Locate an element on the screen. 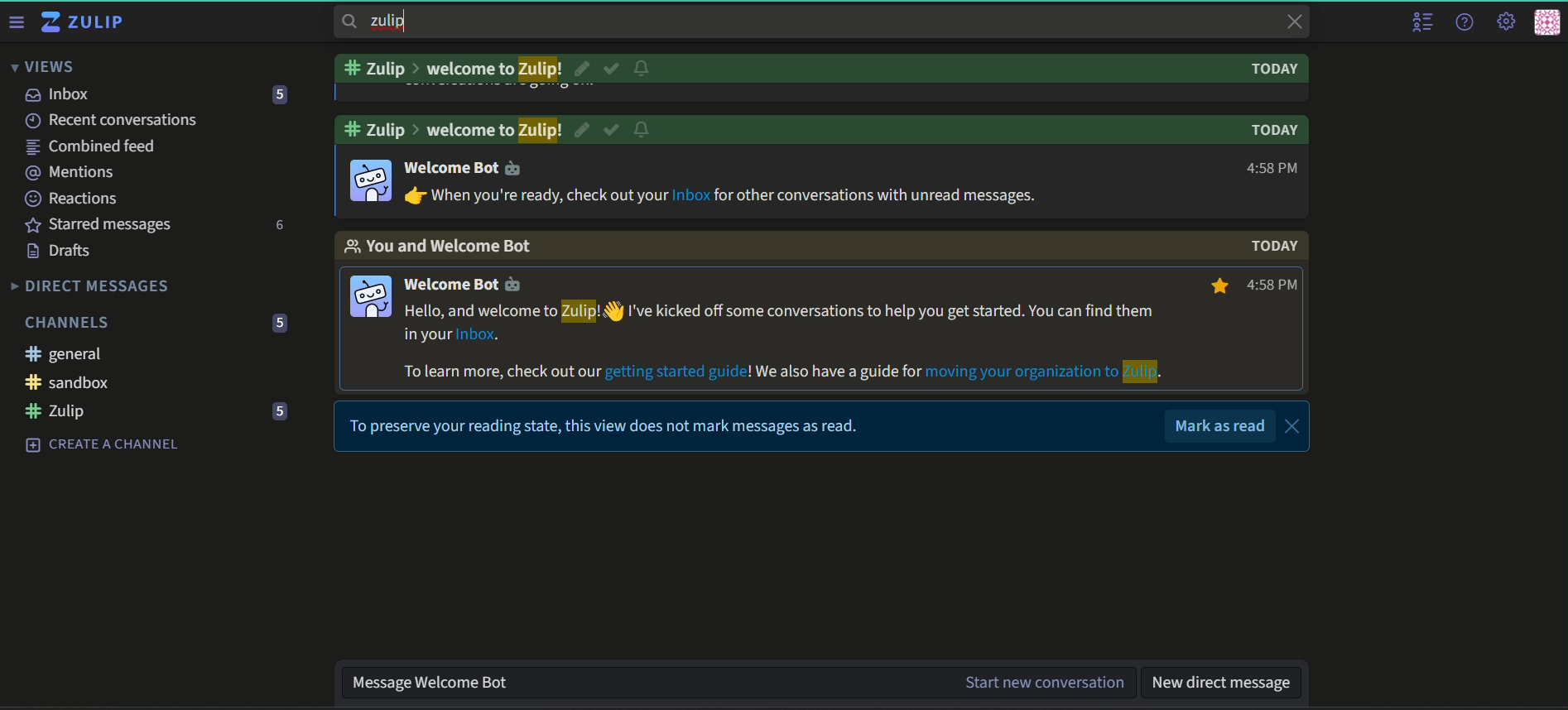  searchbar is located at coordinates (386, 22).